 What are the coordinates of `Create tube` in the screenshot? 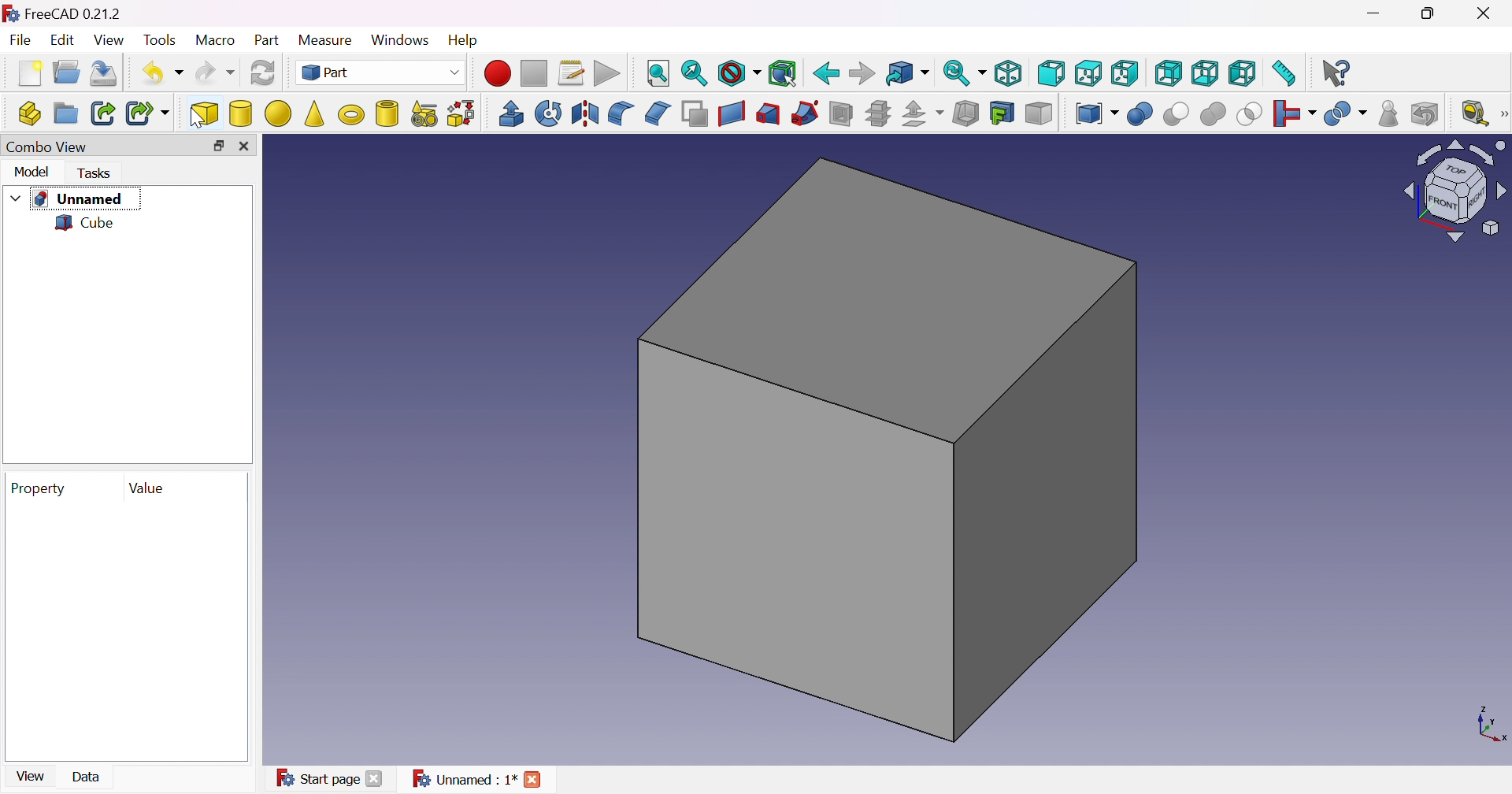 It's located at (386, 113).